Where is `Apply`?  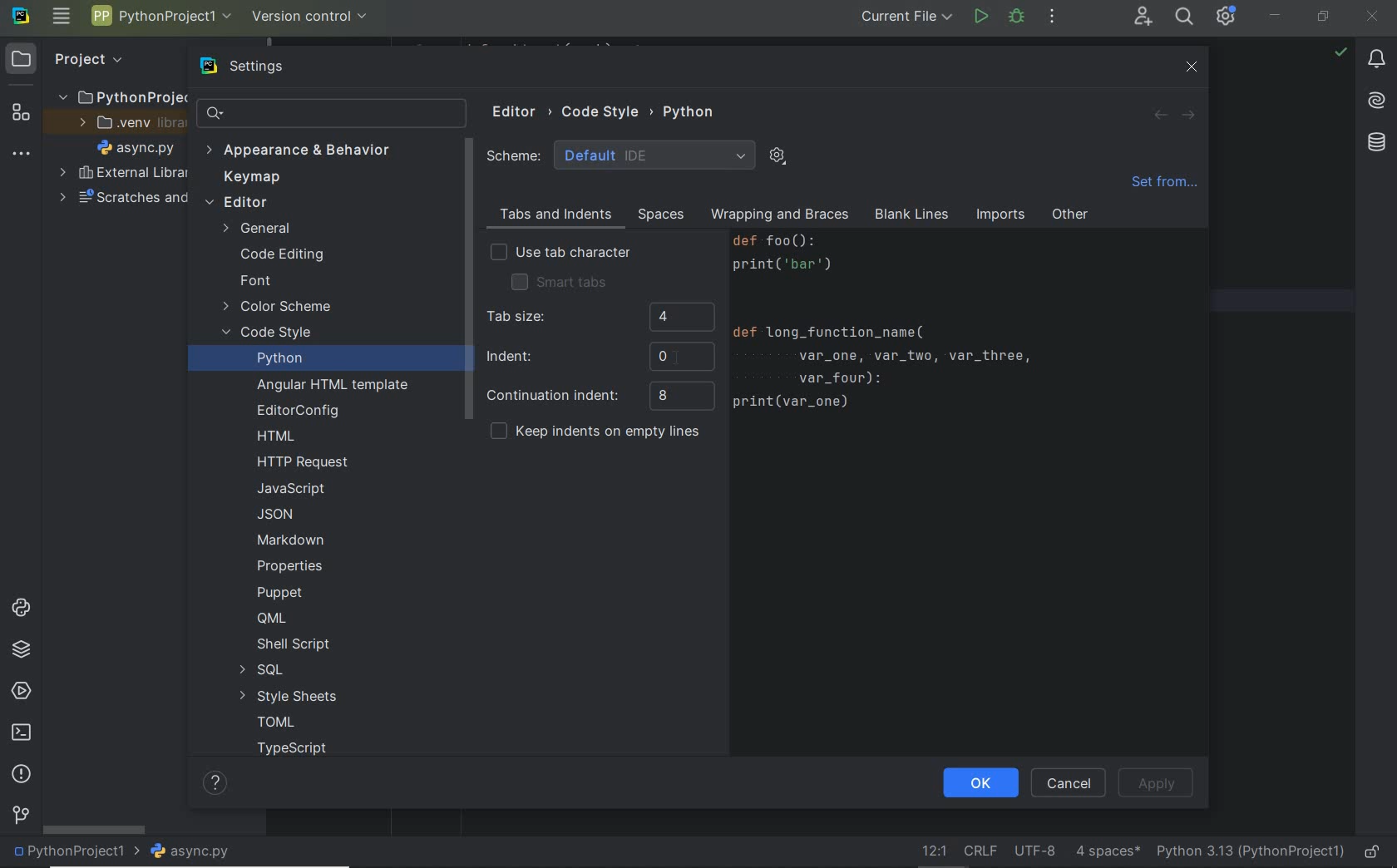
Apply is located at coordinates (1157, 783).